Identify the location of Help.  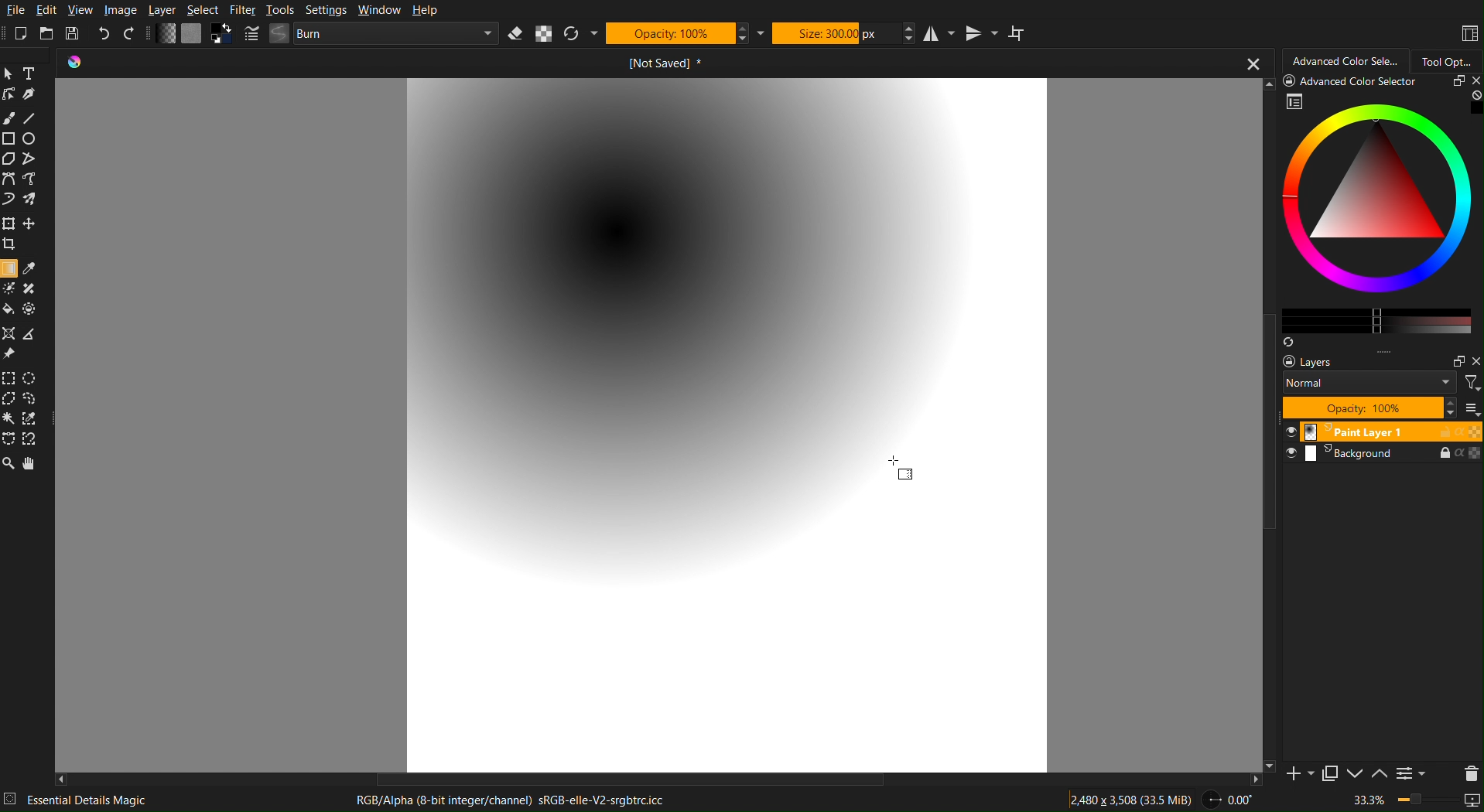
(422, 11).